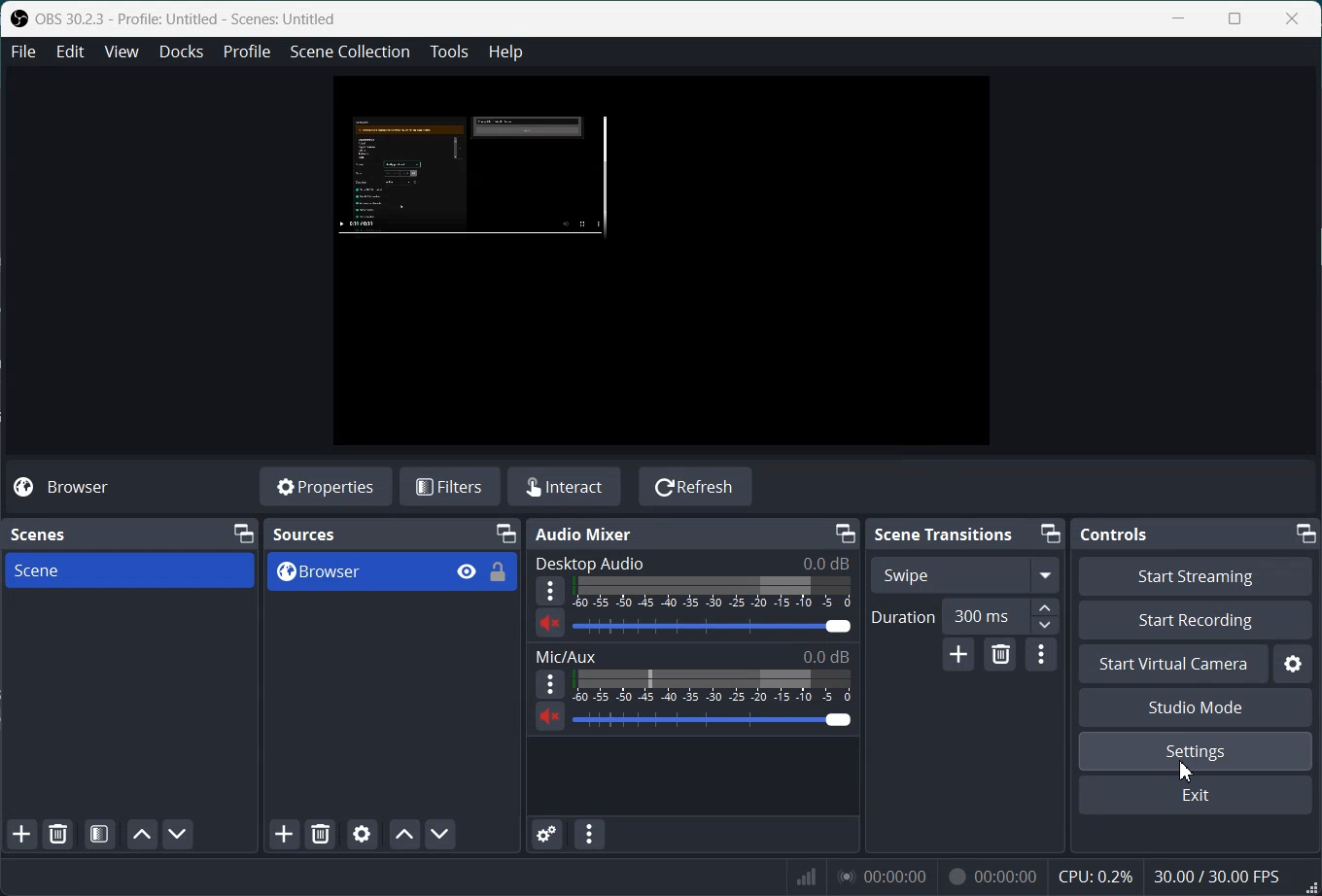  I want to click on Window Adjuster, so click(1308, 880).